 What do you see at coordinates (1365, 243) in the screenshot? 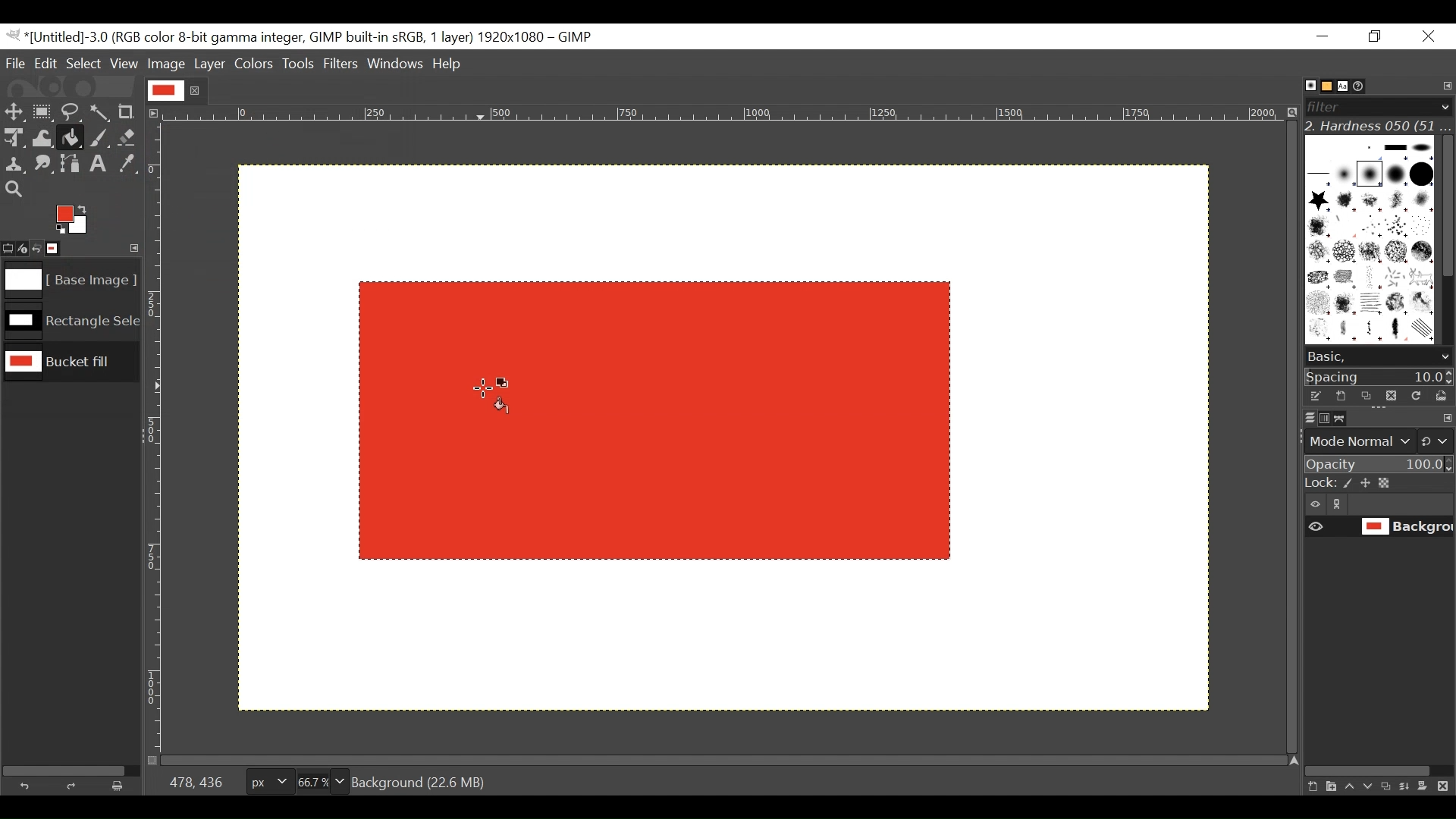
I see `Patterns` at bounding box center [1365, 243].